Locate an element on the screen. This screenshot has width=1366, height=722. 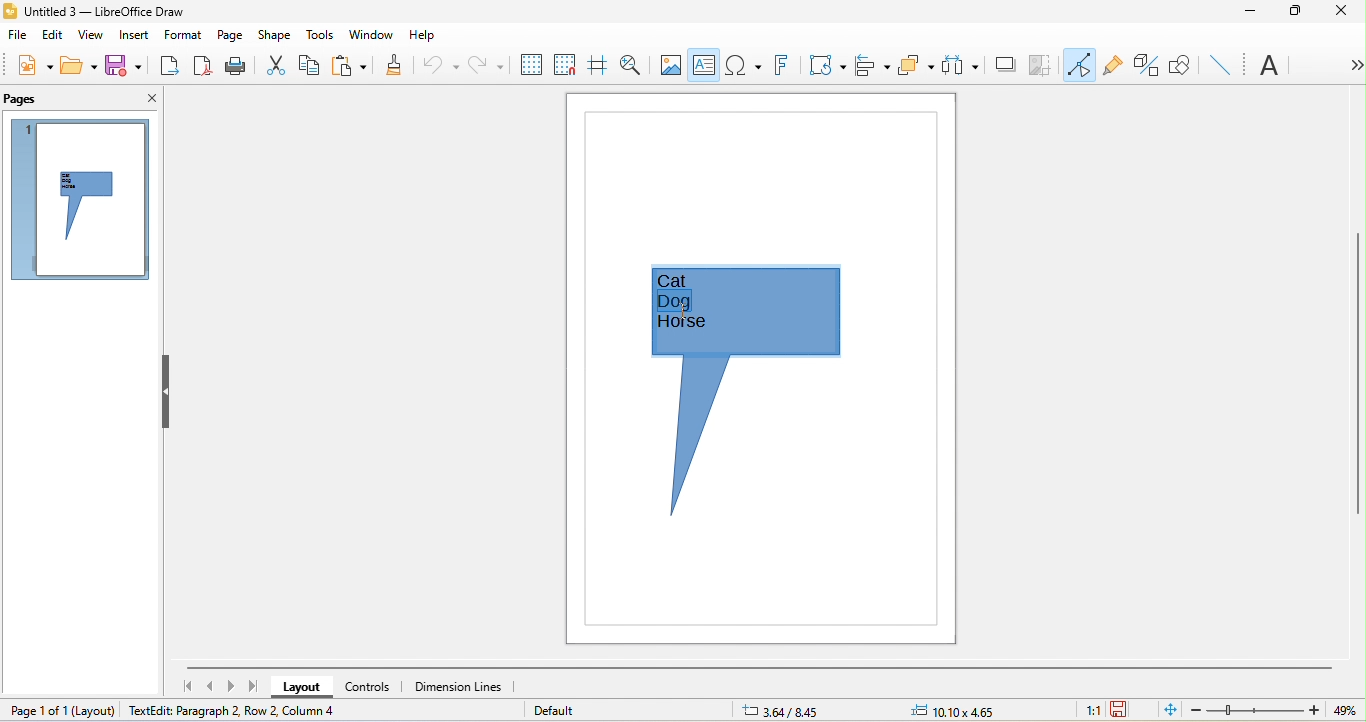
toggle extrusion is located at coordinates (1146, 66).